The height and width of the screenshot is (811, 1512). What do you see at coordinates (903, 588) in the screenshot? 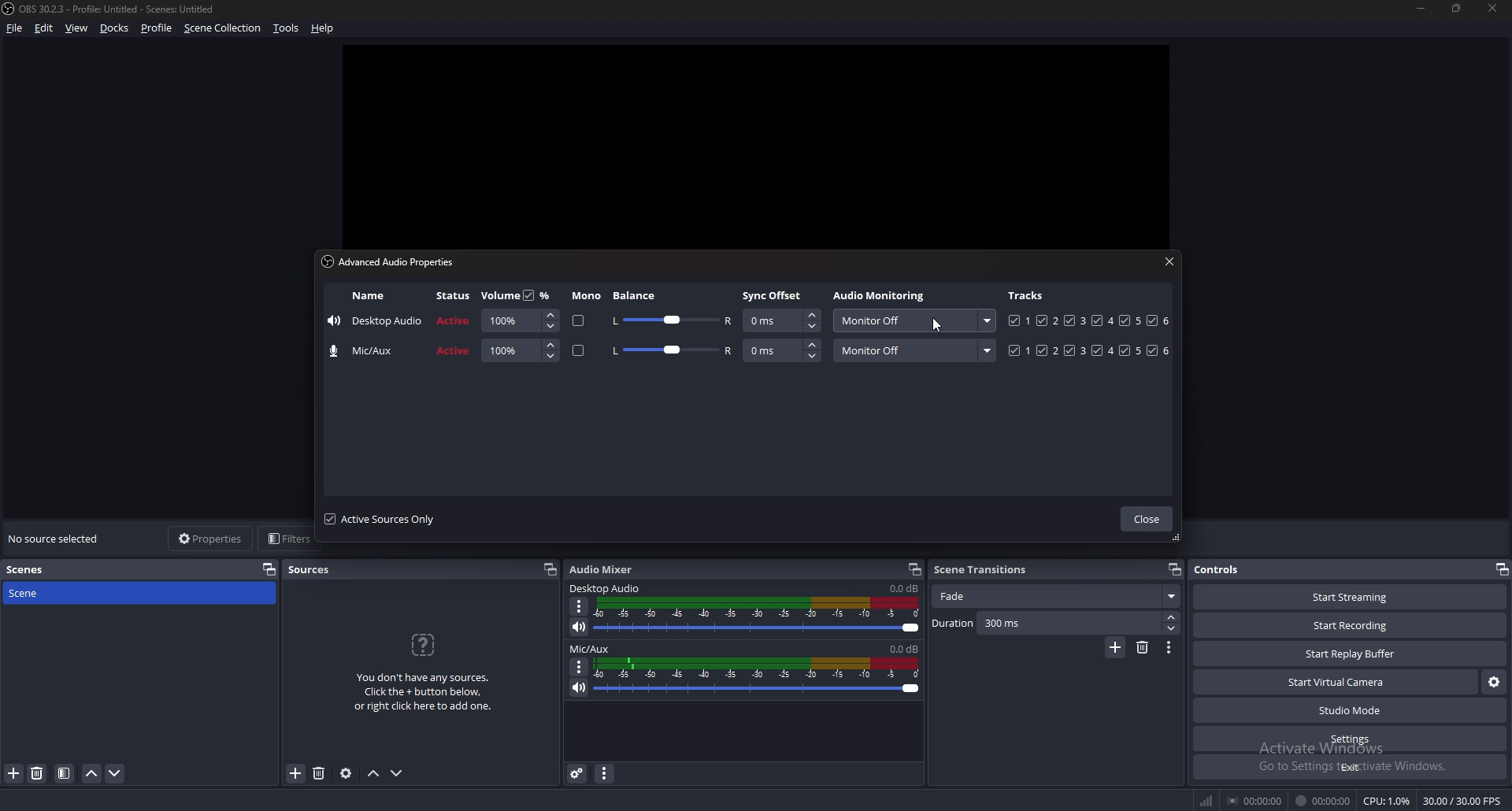
I see `volume level` at bounding box center [903, 588].